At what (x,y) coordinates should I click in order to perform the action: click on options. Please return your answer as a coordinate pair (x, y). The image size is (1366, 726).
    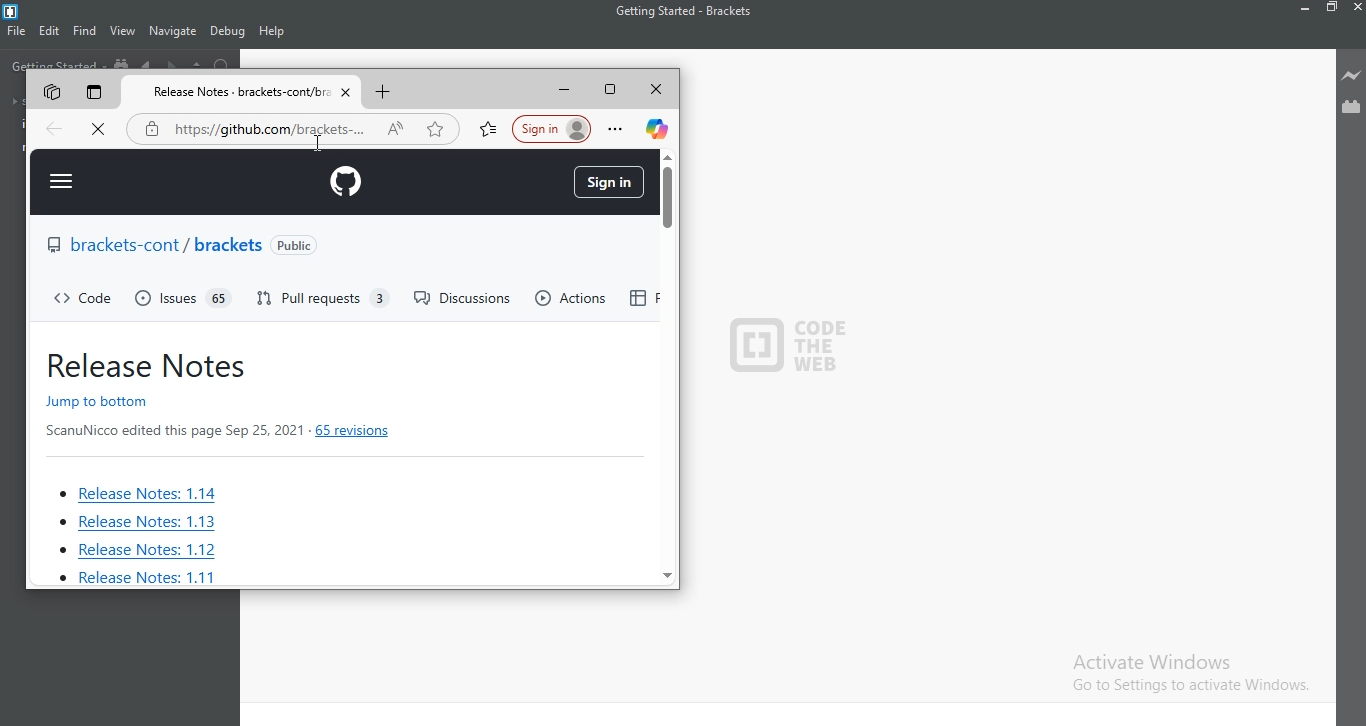
    Looking at the image, I should click on (619, 129).